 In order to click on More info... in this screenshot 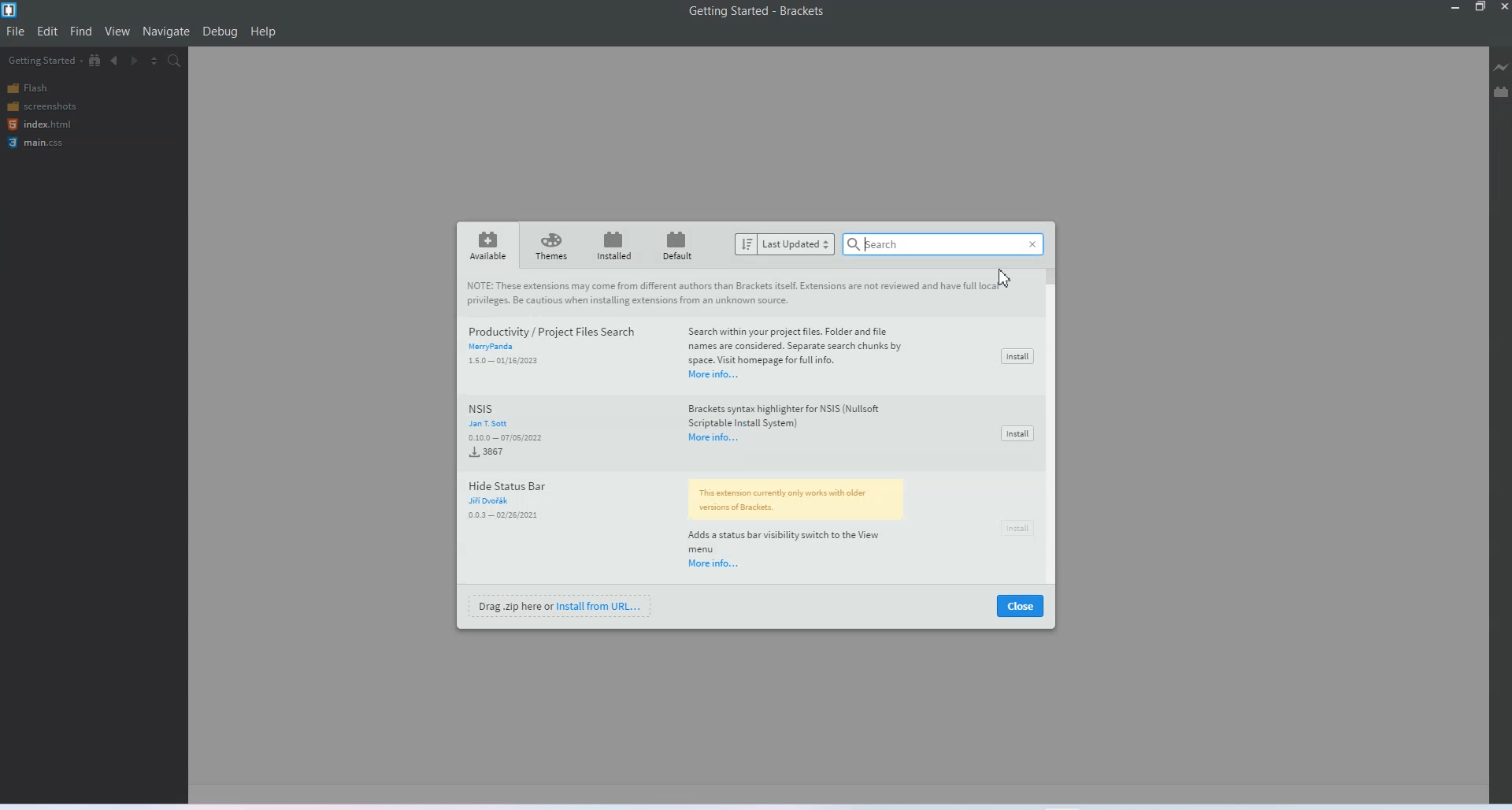, I will do `click(712, 376)`.